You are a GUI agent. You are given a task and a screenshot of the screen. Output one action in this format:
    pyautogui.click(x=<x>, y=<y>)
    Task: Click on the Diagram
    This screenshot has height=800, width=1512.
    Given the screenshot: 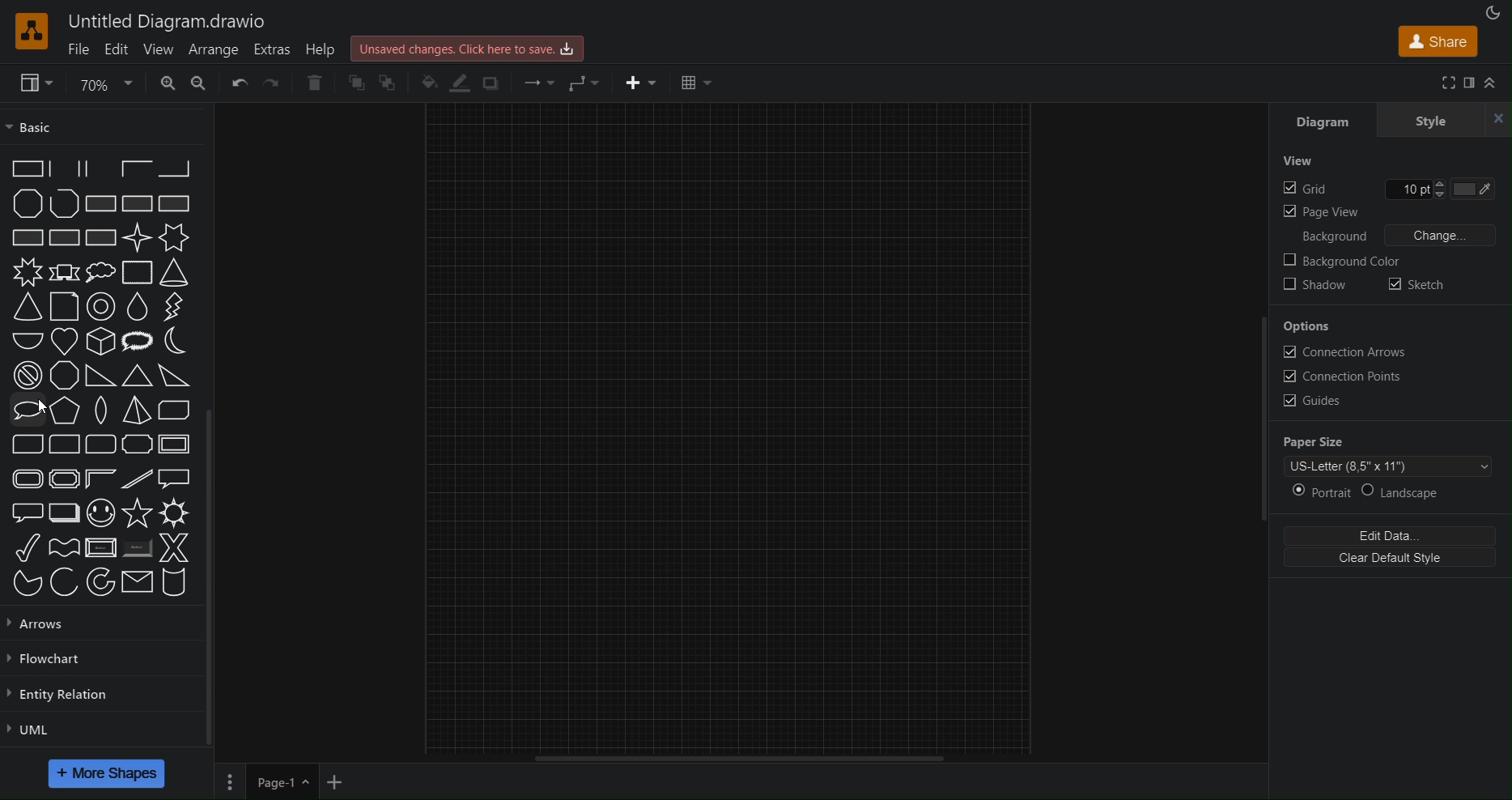 What is the action you would take?
    pyautogui.click(x=1323, y=123)
    